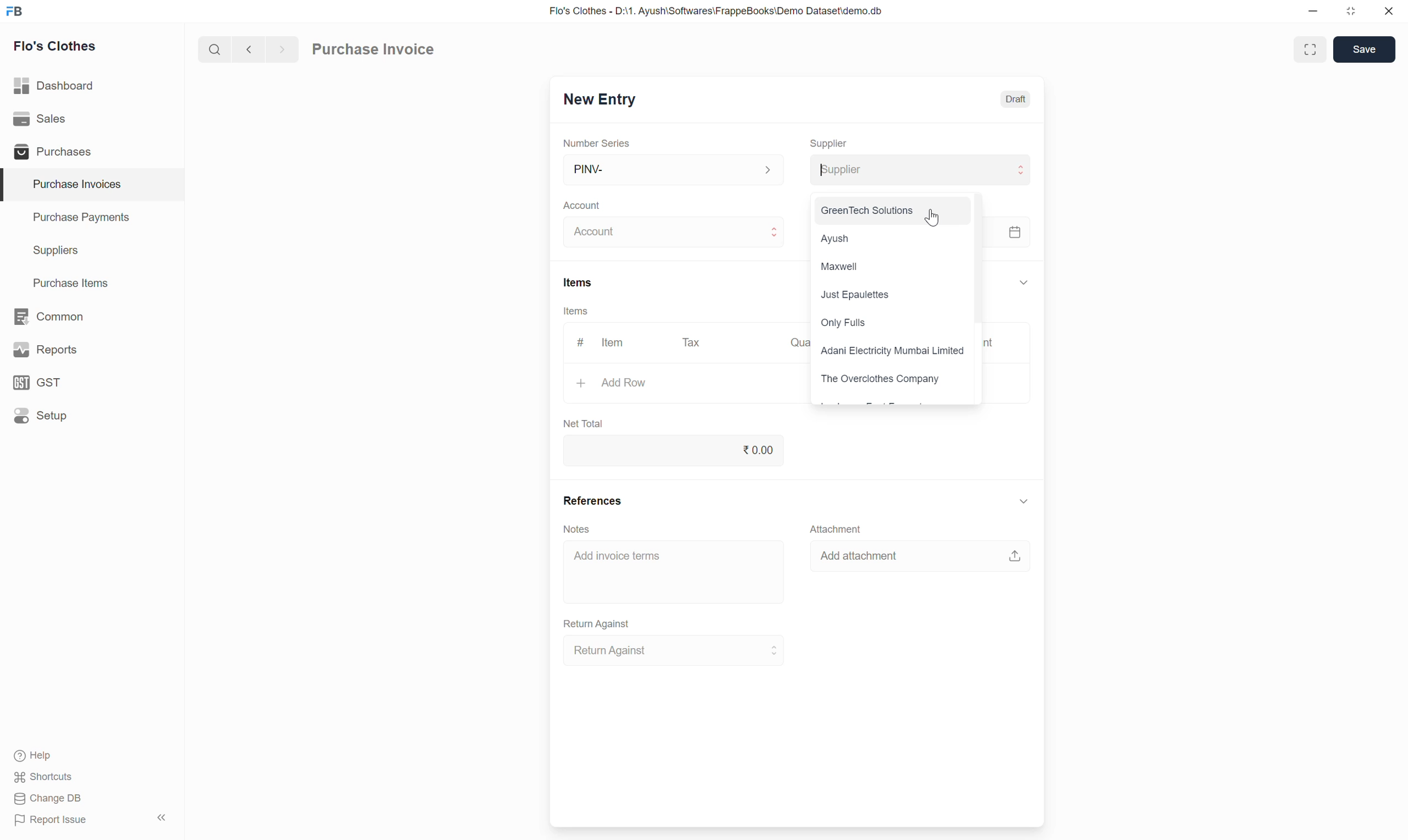  What do you see at coordinates (1016, 99) in the screenshot?
I see `Draft` at bounding box center [1016, 99].